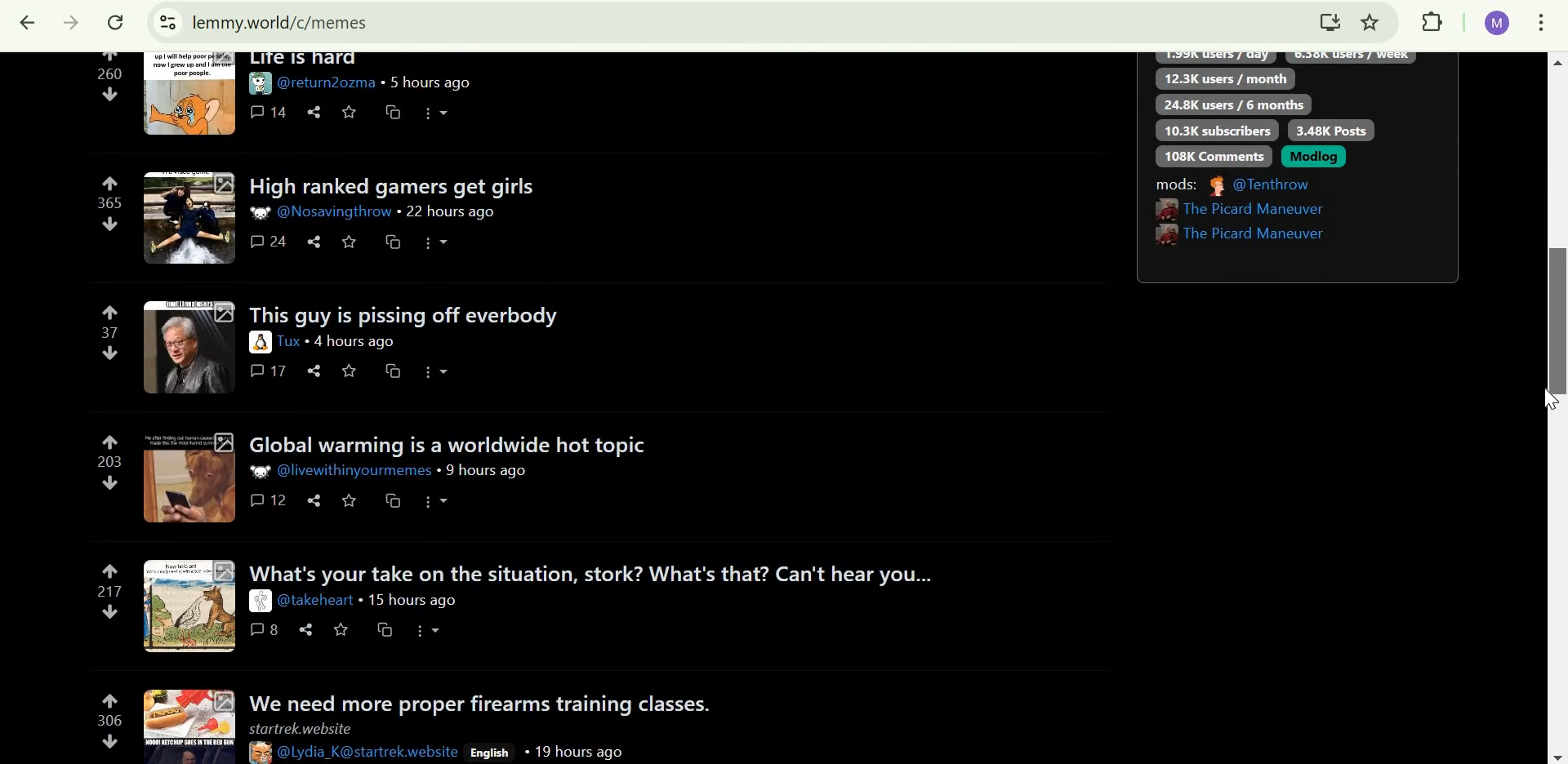  Describe the element at coordinates (110, 719) in the screenshot. I see `306 points` at that location.